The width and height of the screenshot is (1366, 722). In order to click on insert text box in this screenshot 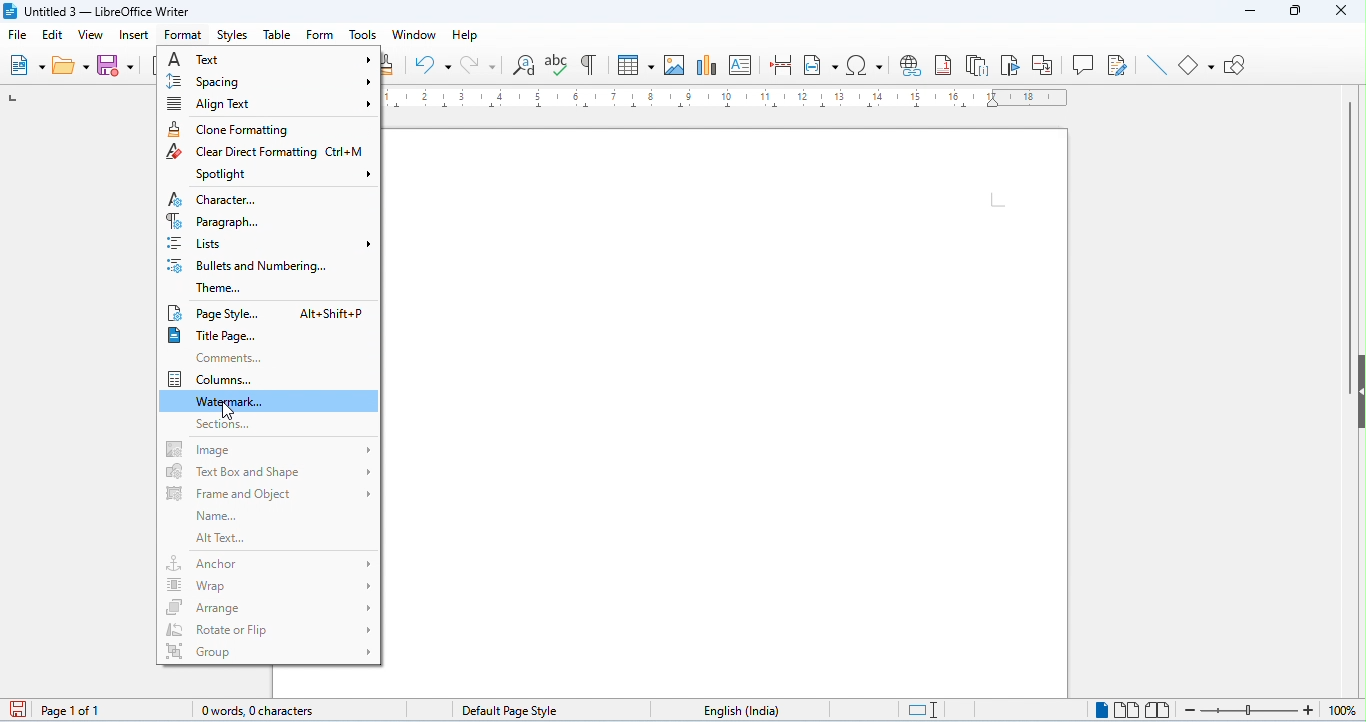, I will do `click(743, 63)`.